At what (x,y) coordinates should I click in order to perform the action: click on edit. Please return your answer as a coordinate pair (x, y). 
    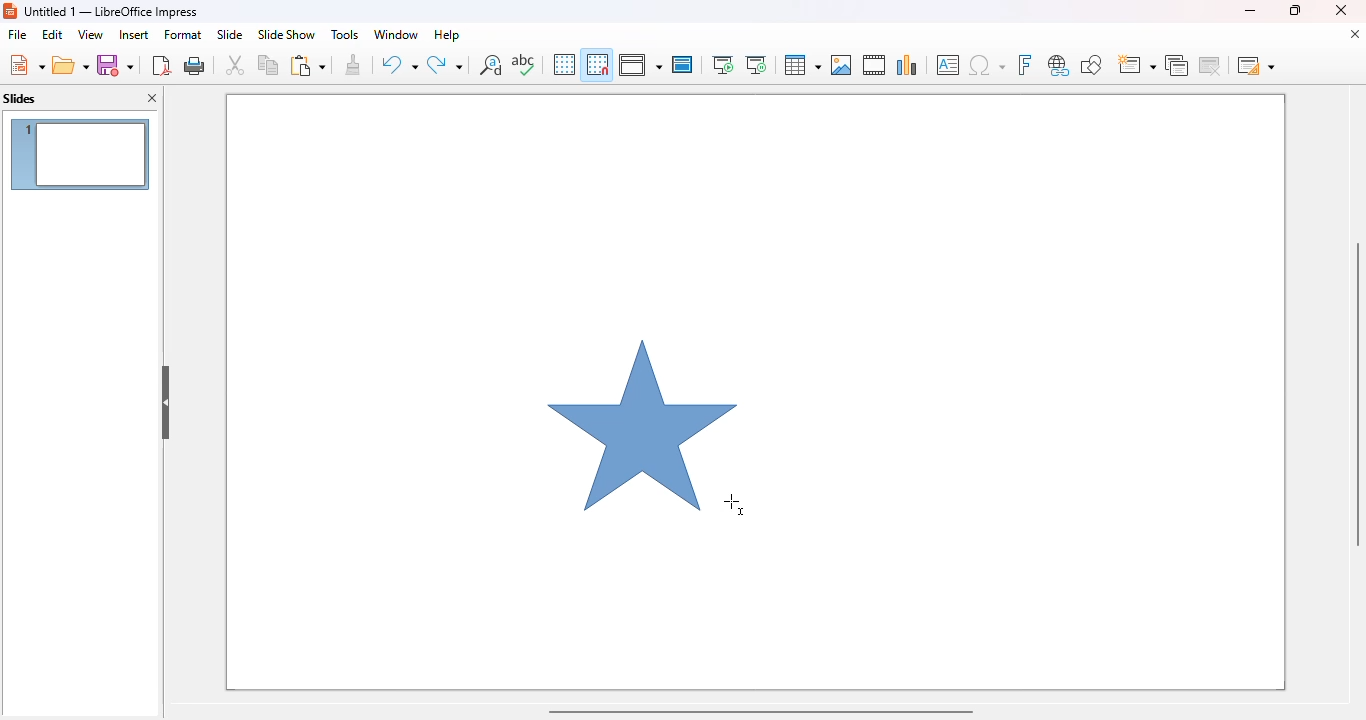
    Looking at the image, I should click on (52, 34).